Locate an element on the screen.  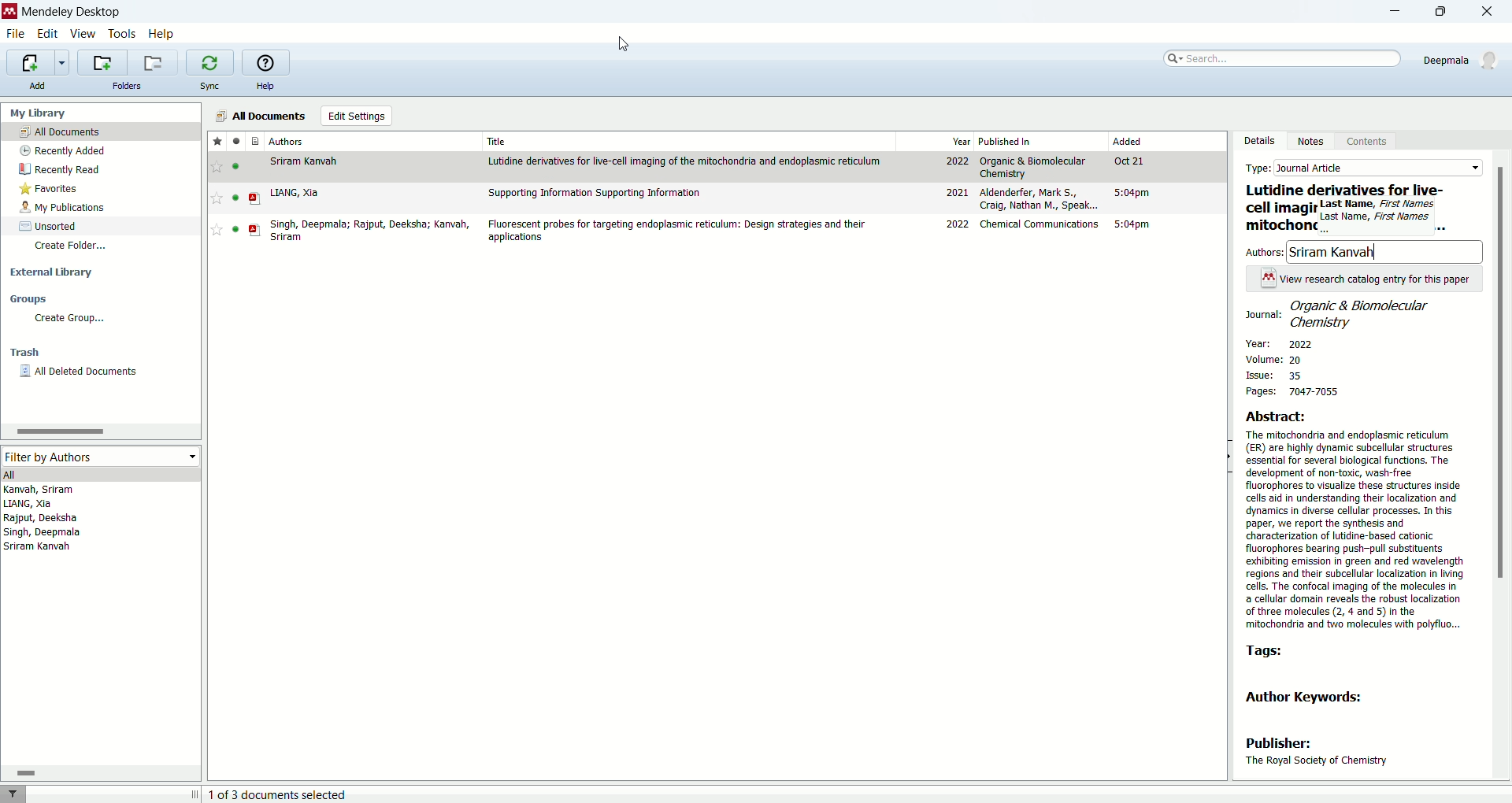
Rajput, Deeksha is located at coordinates (39, 518).